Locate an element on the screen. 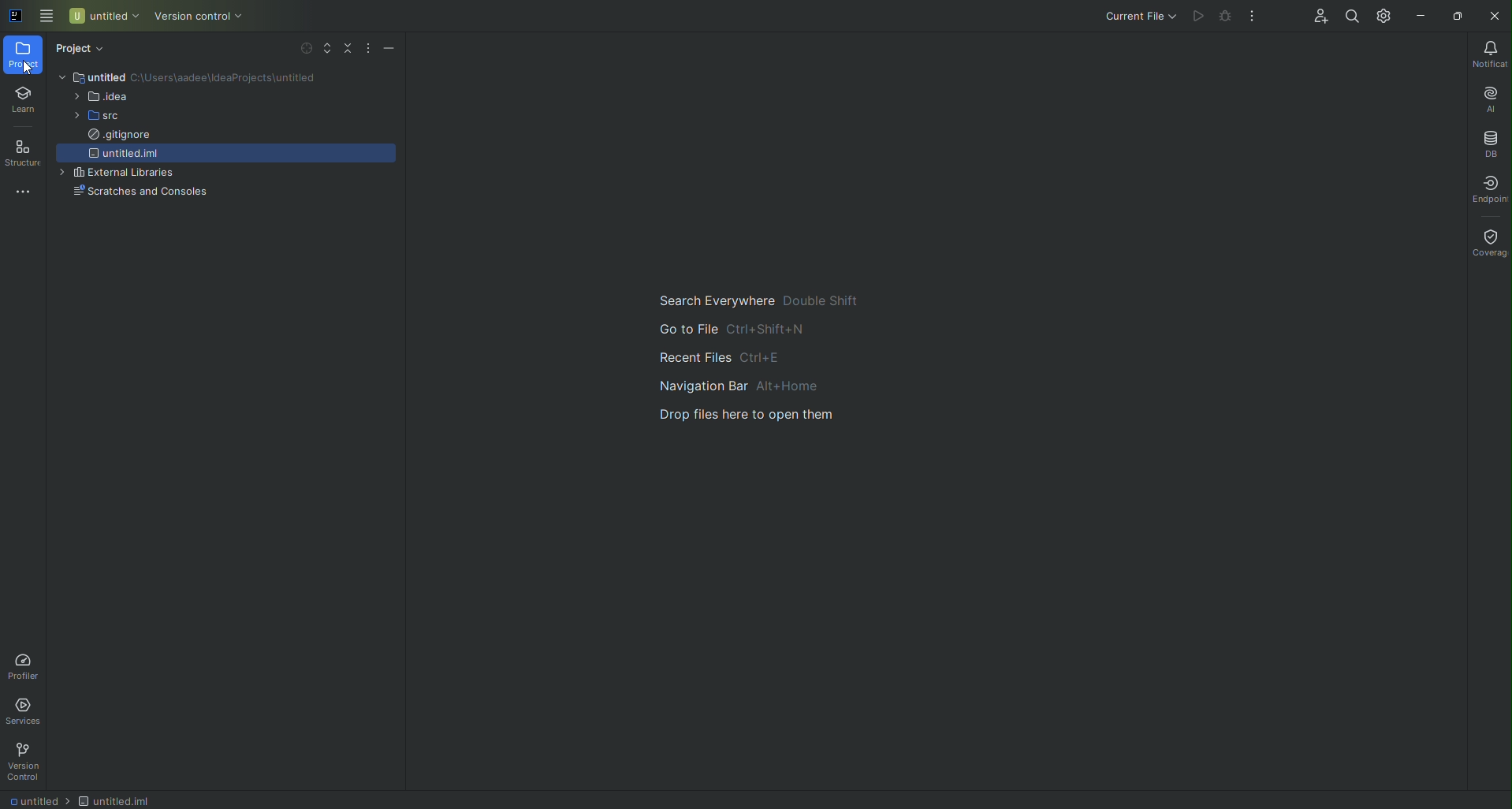 This screenshot has width=1512, height=809. pointer is located at coordinates (23, 68).